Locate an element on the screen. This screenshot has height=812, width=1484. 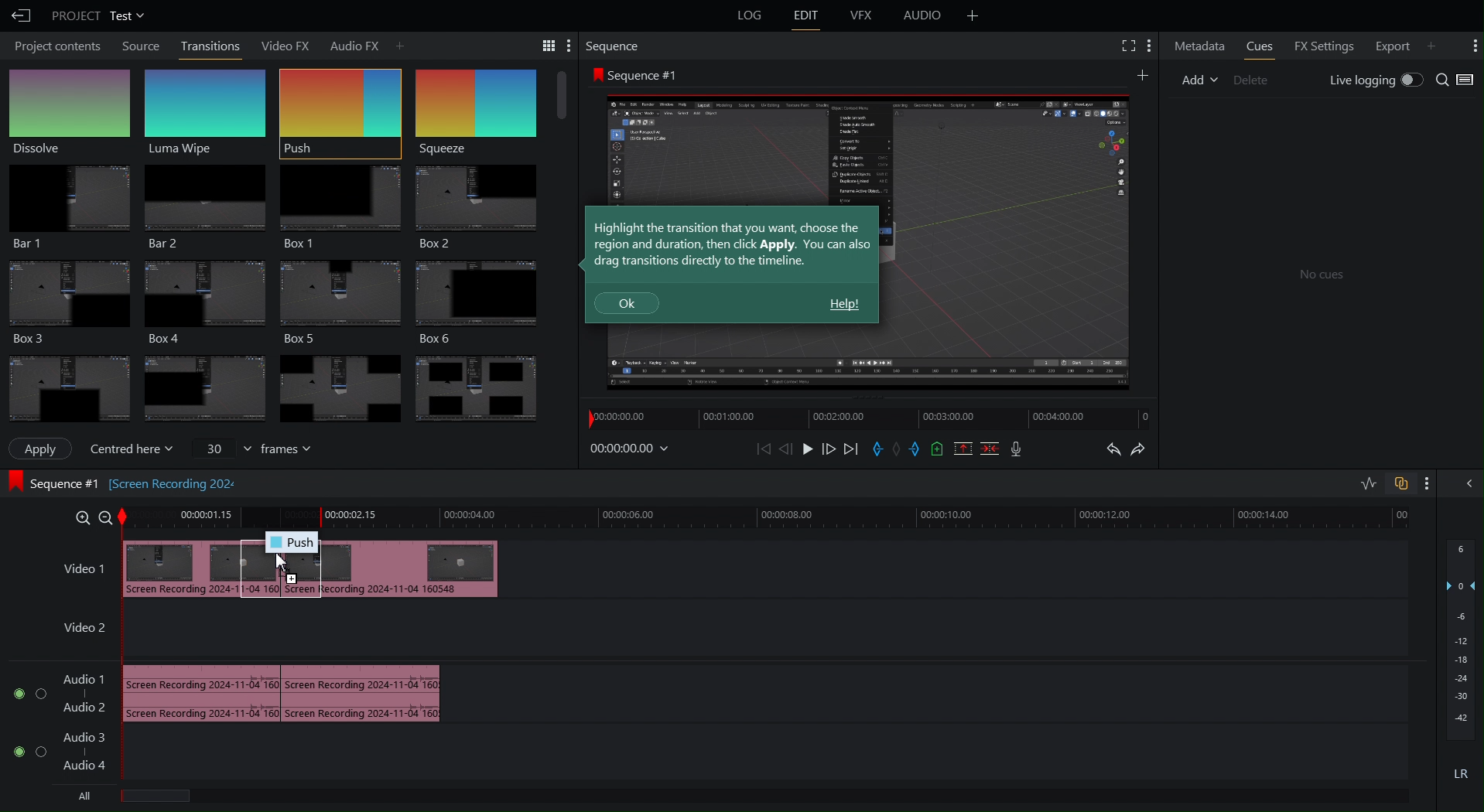
Push is located at coordinates (339, 112).